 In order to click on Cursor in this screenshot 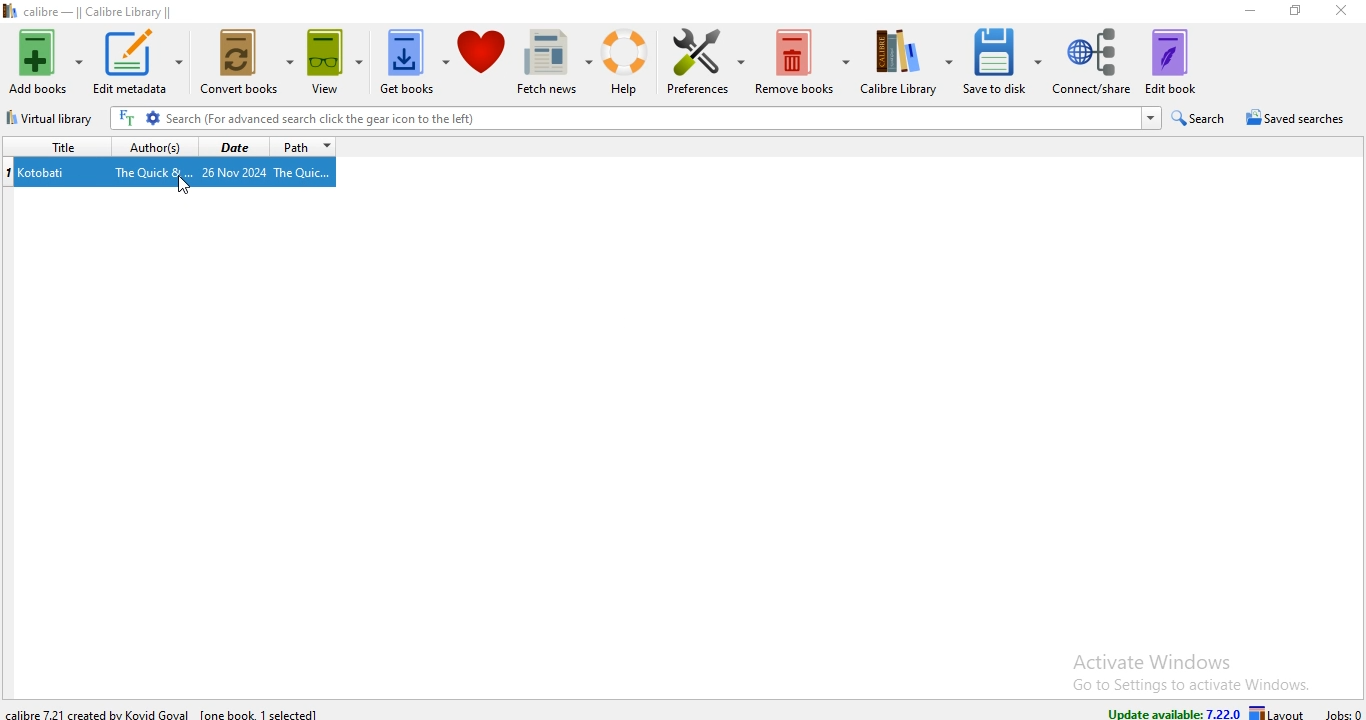, I will do `click(185, 186)`.